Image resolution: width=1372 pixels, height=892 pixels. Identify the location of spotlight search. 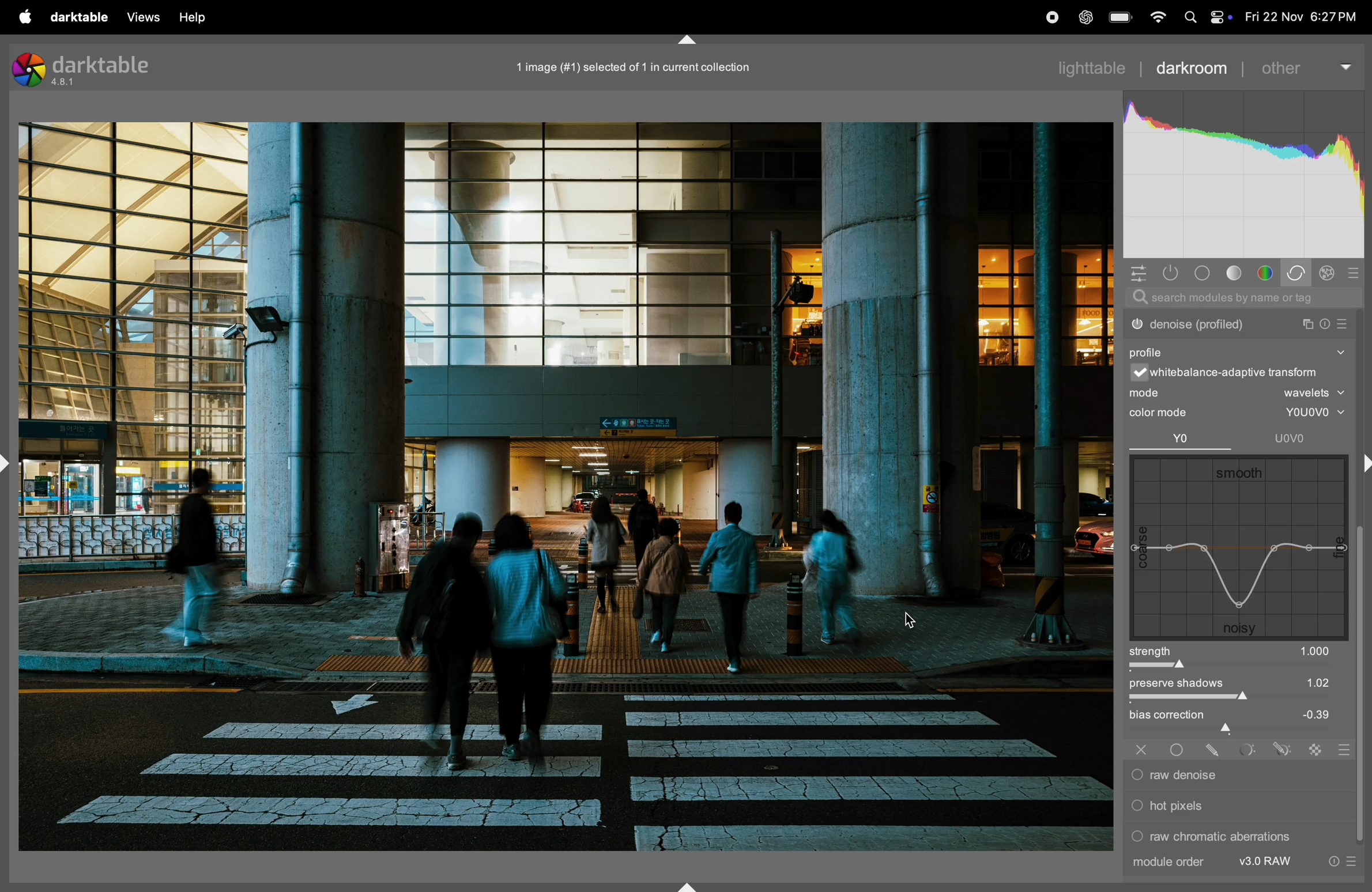
(1190, 20).